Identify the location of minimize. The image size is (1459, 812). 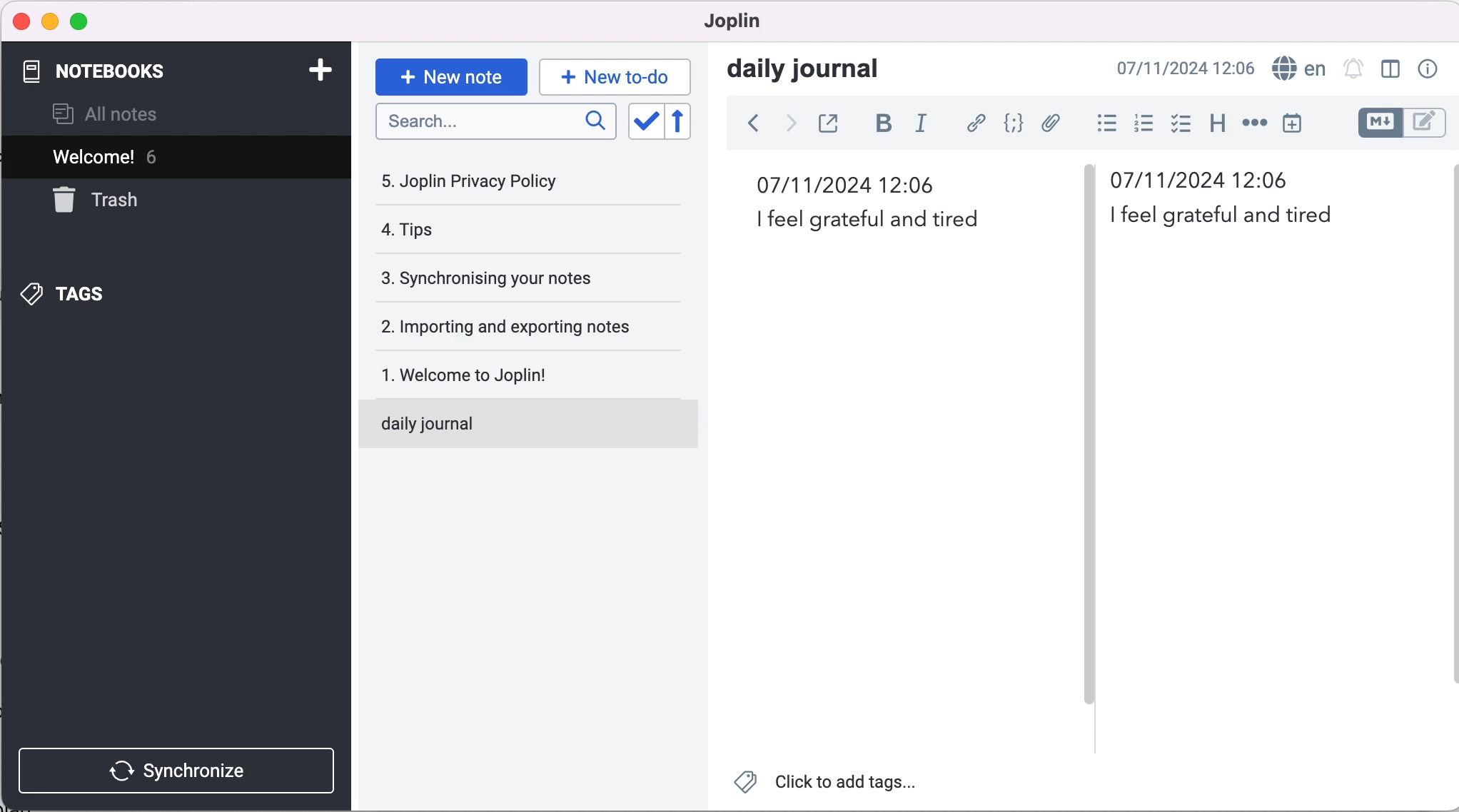
(50, 21).